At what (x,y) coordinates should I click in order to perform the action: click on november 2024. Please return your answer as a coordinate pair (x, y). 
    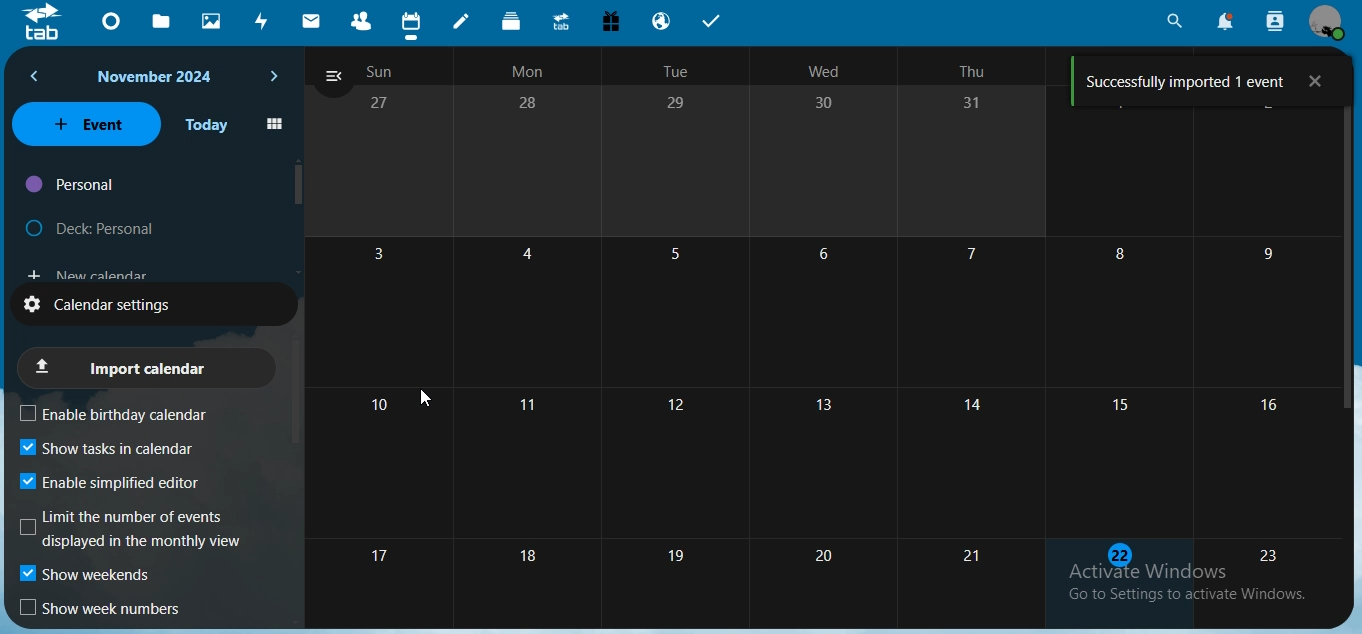
    Looking at the image, I should click on (159, 77).